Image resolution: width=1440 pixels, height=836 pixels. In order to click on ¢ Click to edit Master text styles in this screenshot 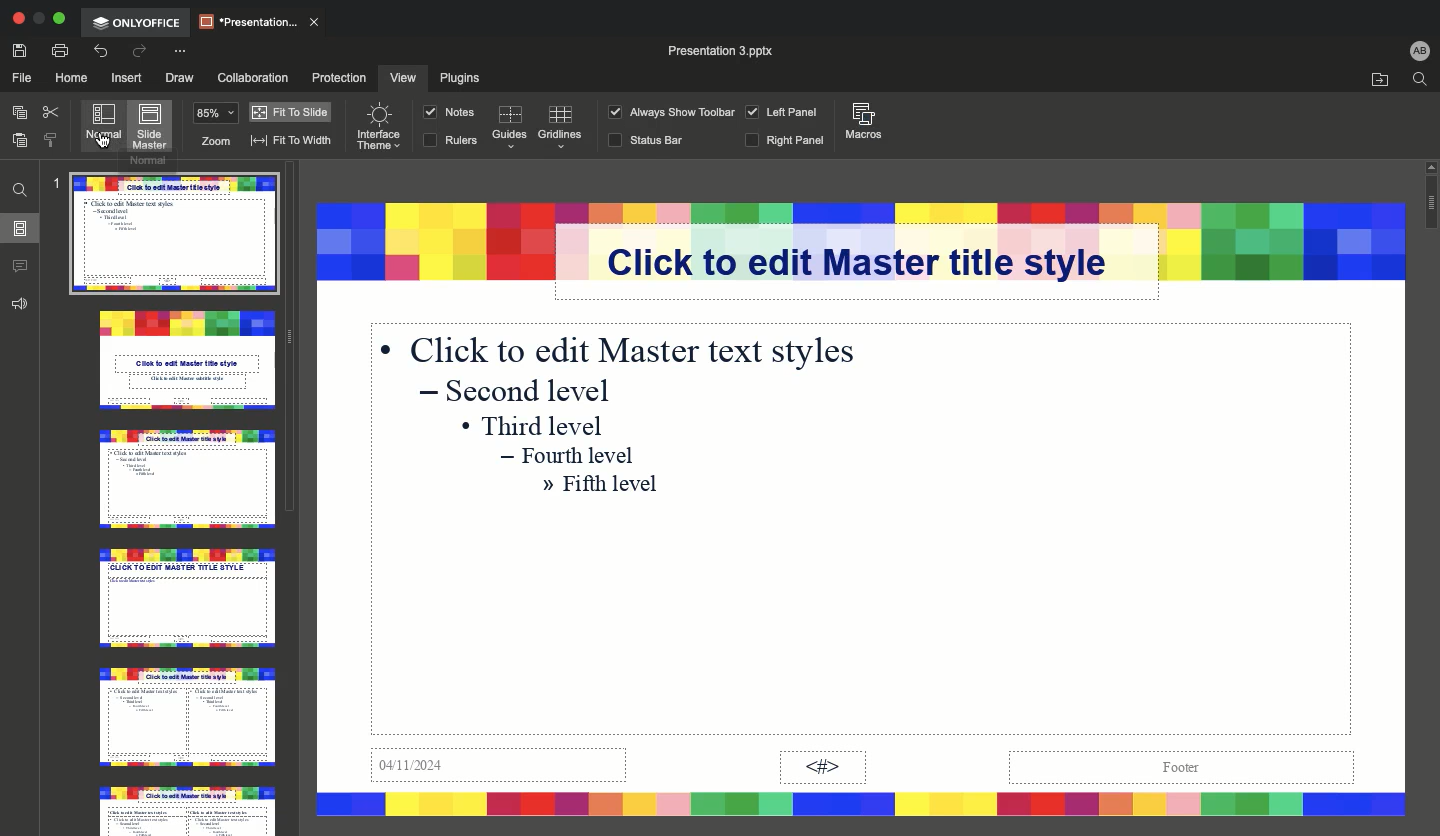, I will do `click(624, 348)`.